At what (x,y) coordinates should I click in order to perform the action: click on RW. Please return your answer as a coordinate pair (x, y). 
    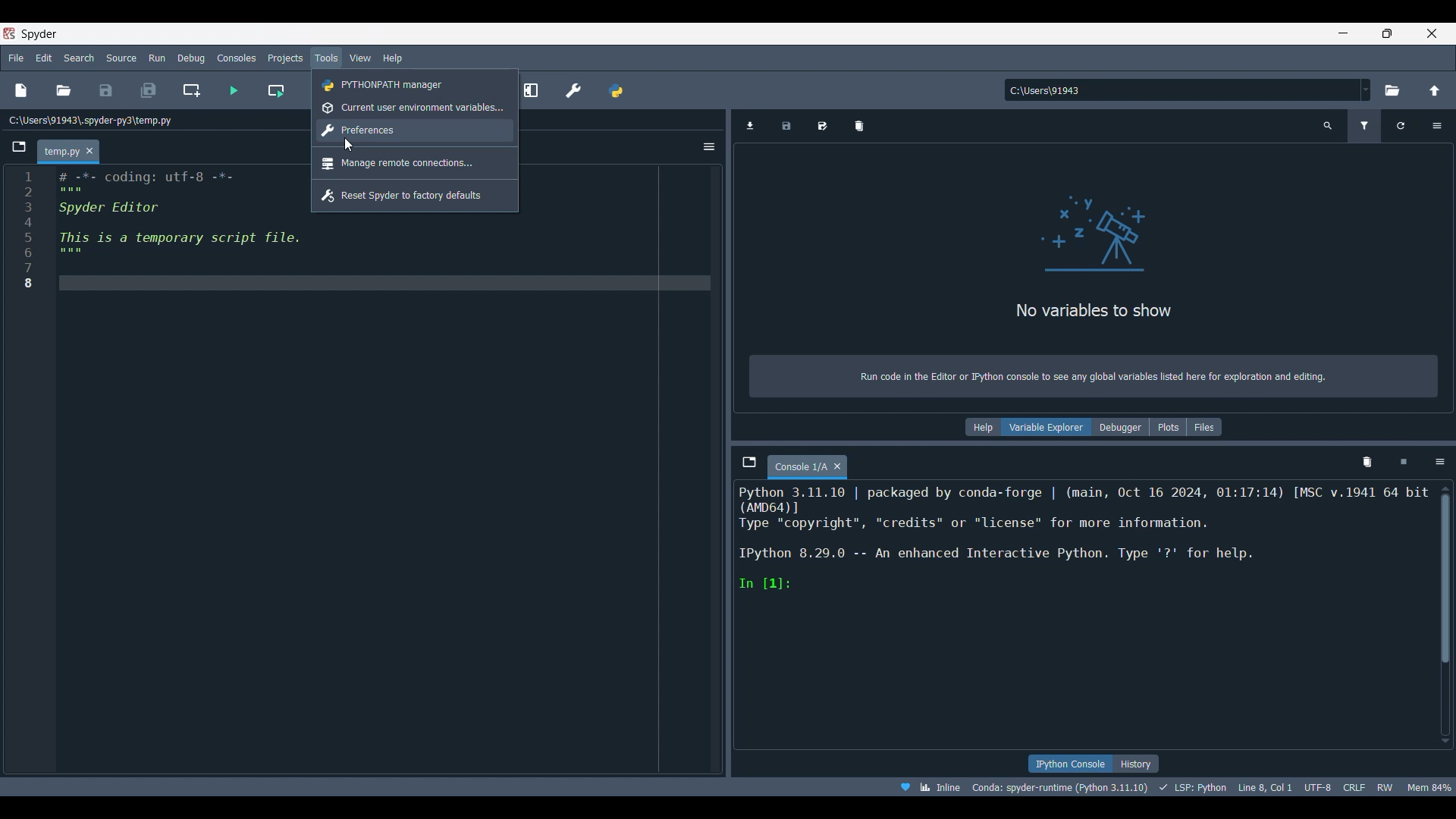
    Looking at the image, I should click on (1386, 788).